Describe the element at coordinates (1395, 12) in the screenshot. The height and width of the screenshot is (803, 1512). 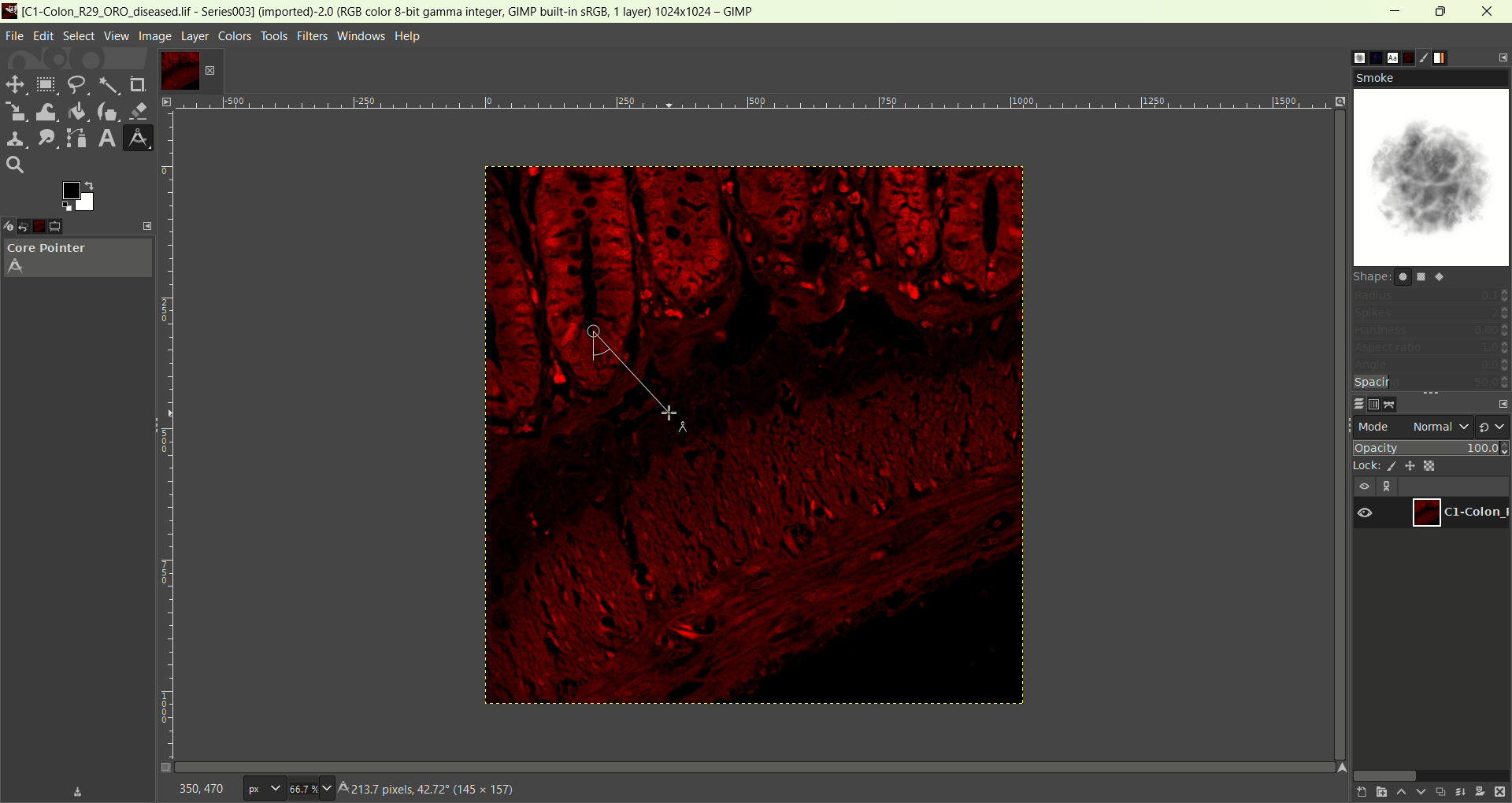
I see `minimum` at that location.